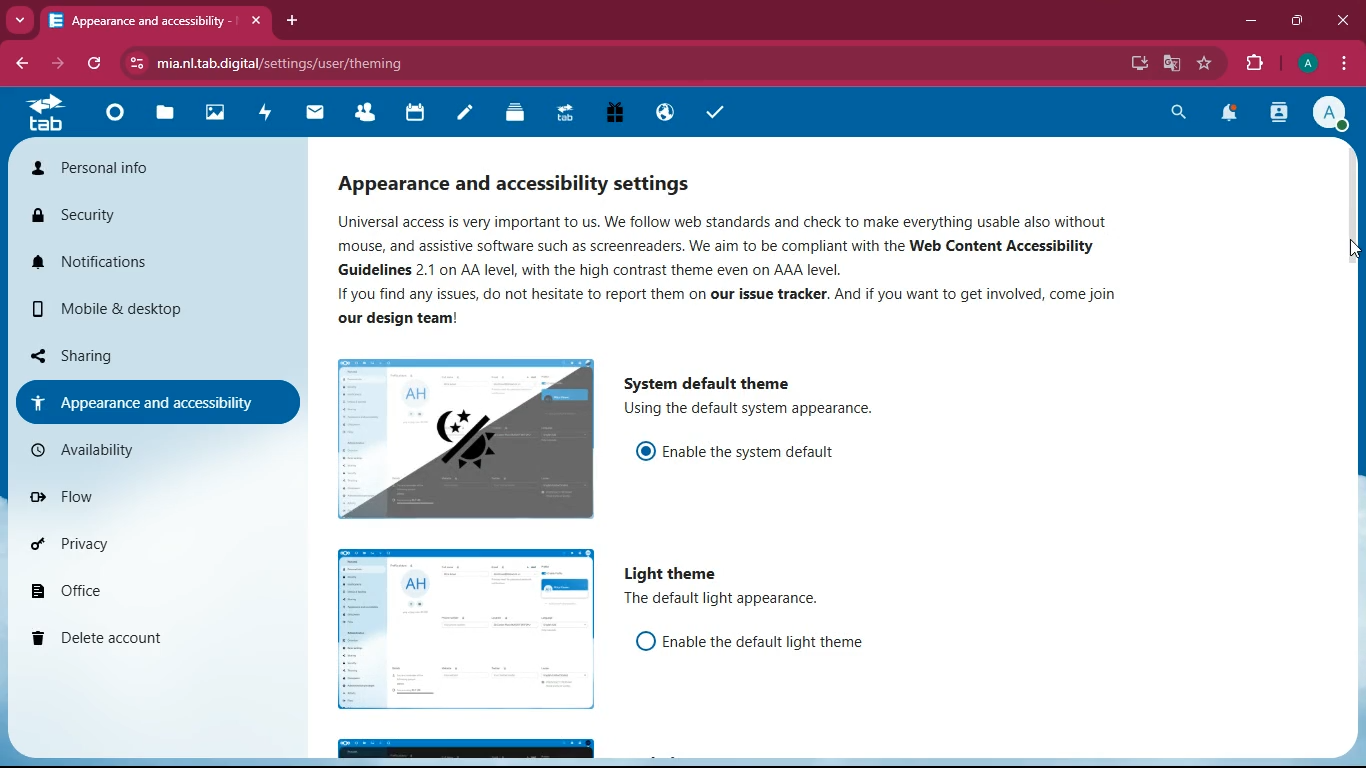 The height and width of the screenshot is (768, 1366). I want to click on appearance, so click(150, 403).